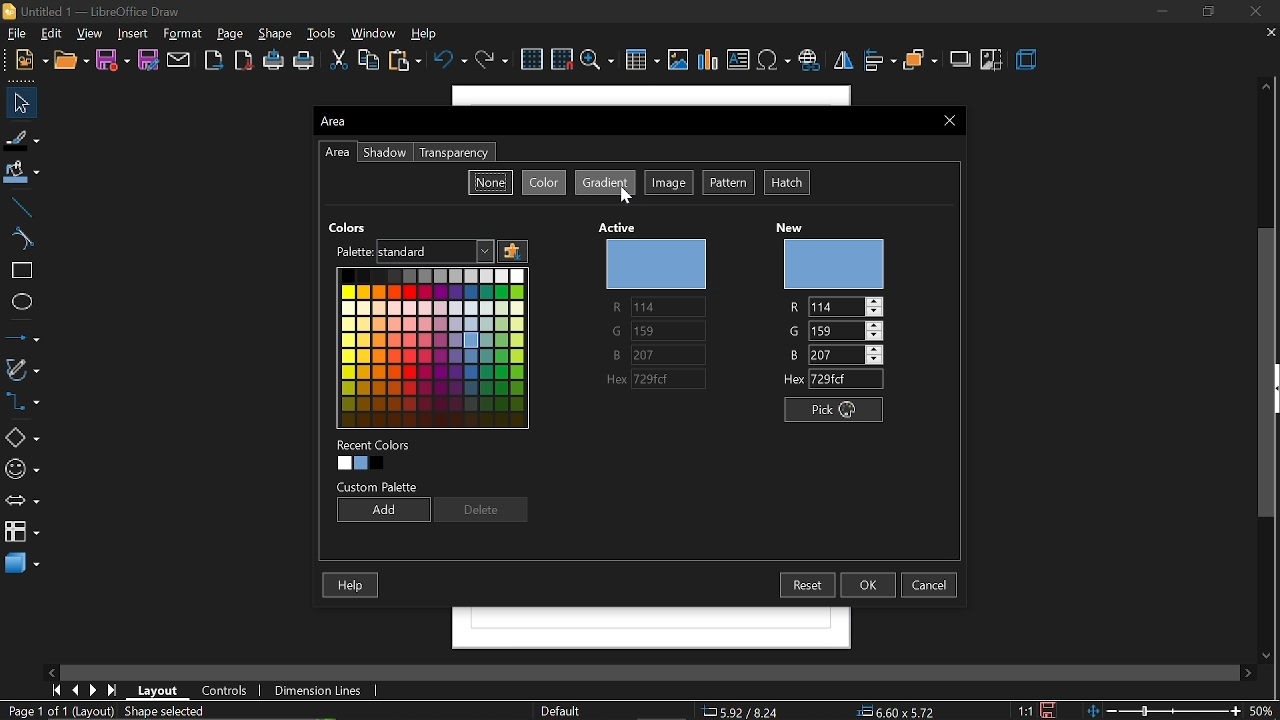 The image size is (1280, 720). Describe the element at coordinates (354, 121) in the screenshot. I see `Area` at that location.